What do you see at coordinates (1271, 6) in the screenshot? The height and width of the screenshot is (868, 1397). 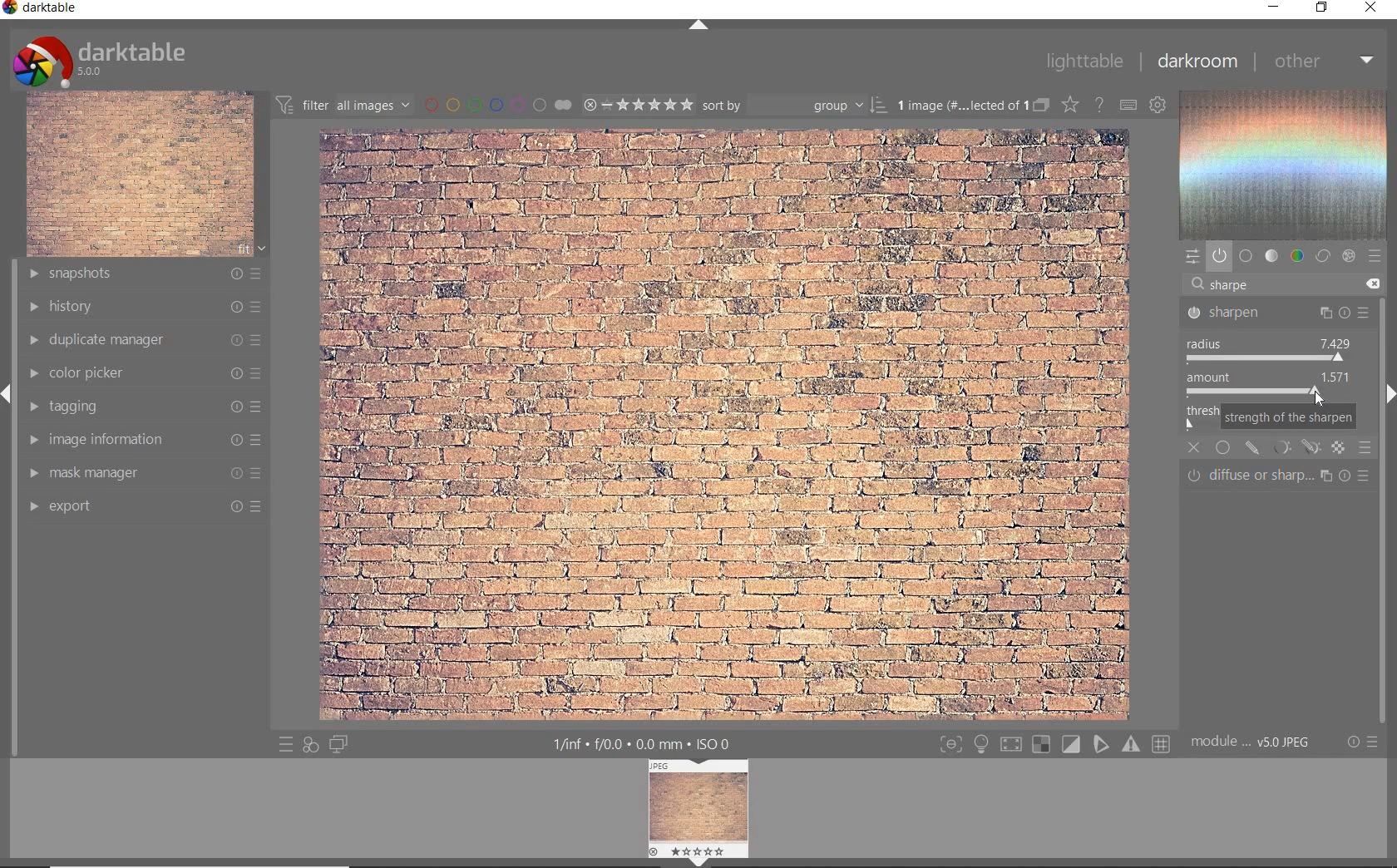 I see `minimize` at bounding box center [1271, 6].